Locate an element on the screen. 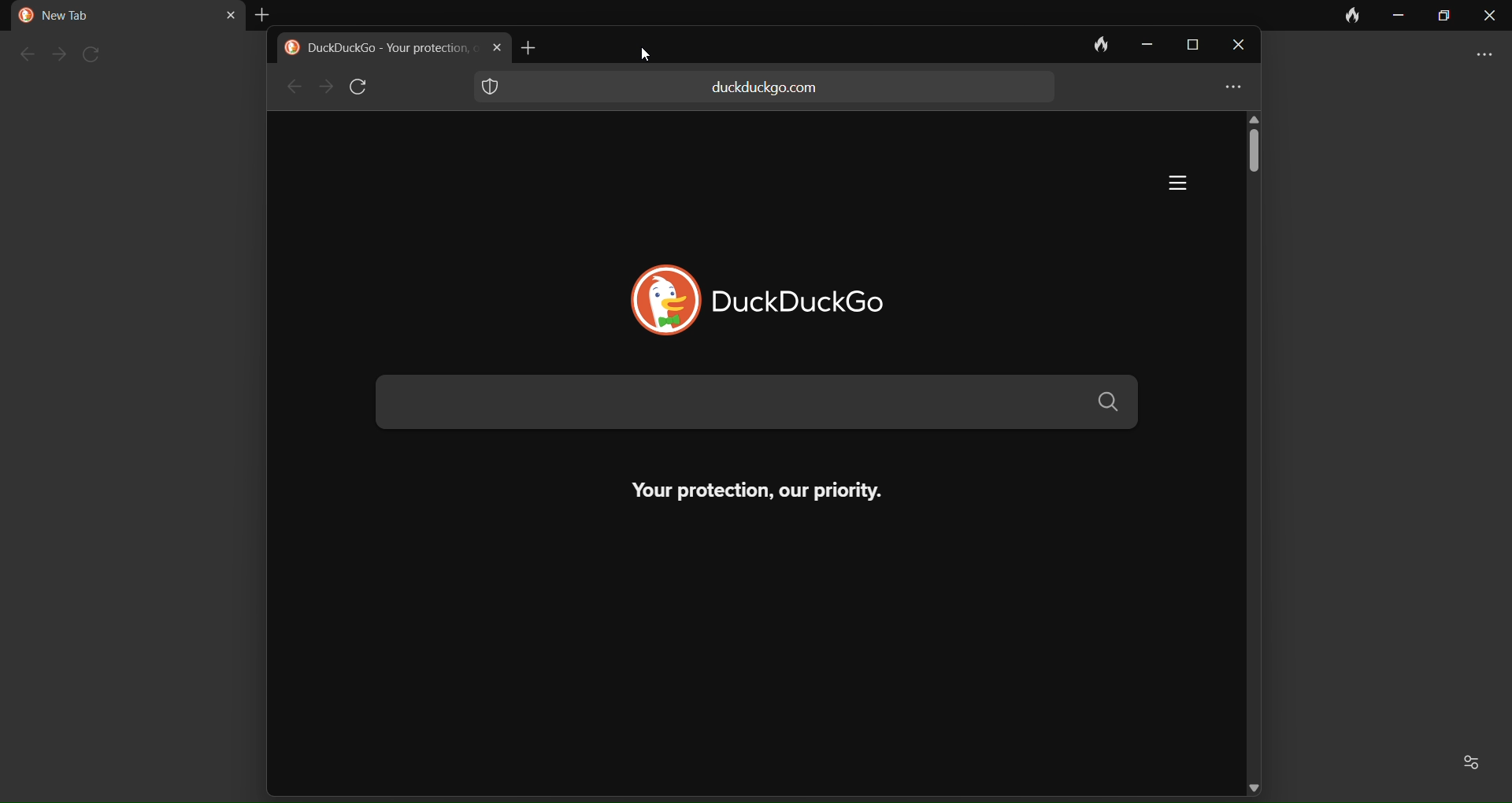 The image size is (1512, 803). down is located at coordinates (1255, 785).